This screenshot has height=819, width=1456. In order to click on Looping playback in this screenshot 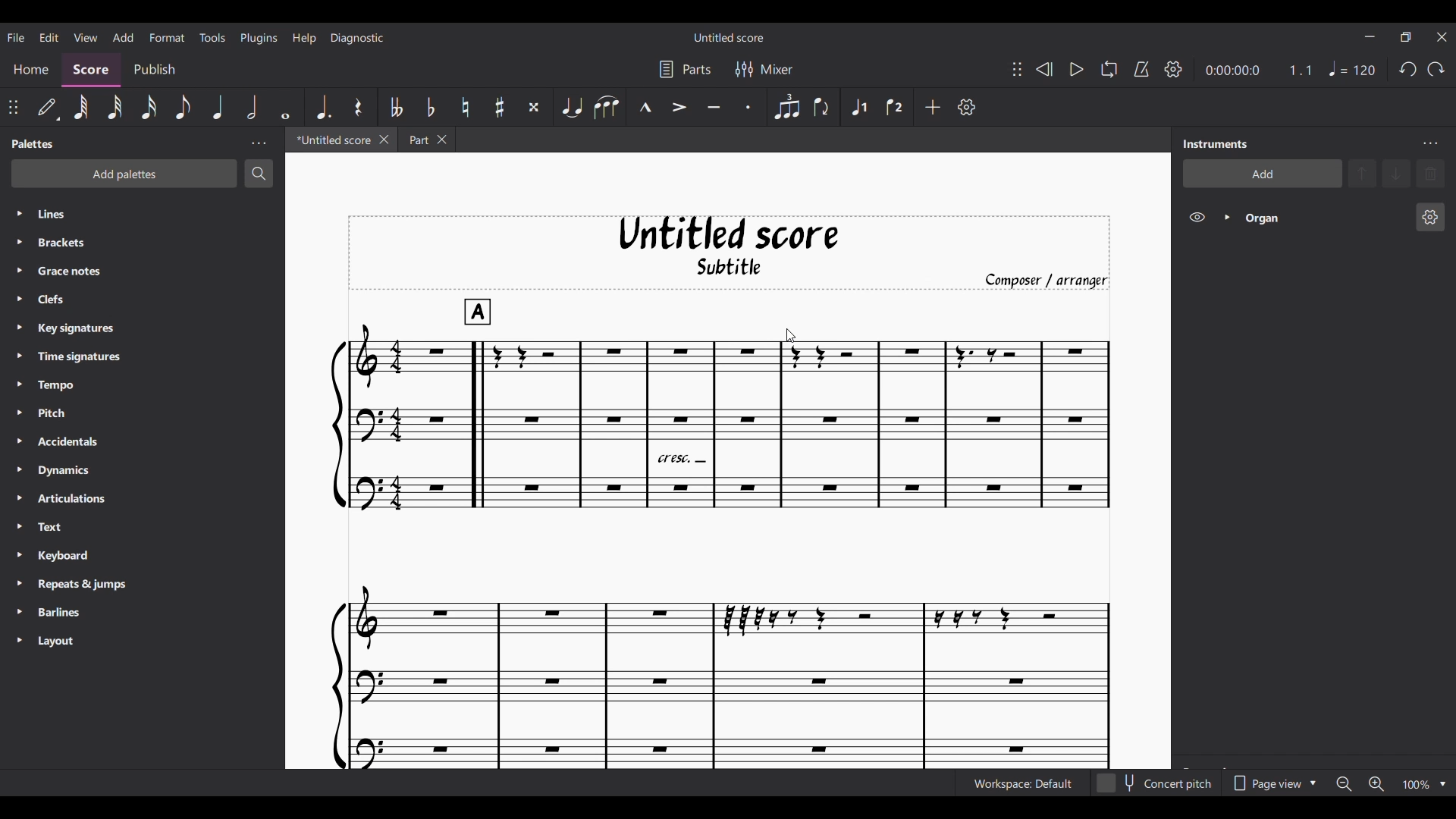, I will do `click(1109, 69)`.